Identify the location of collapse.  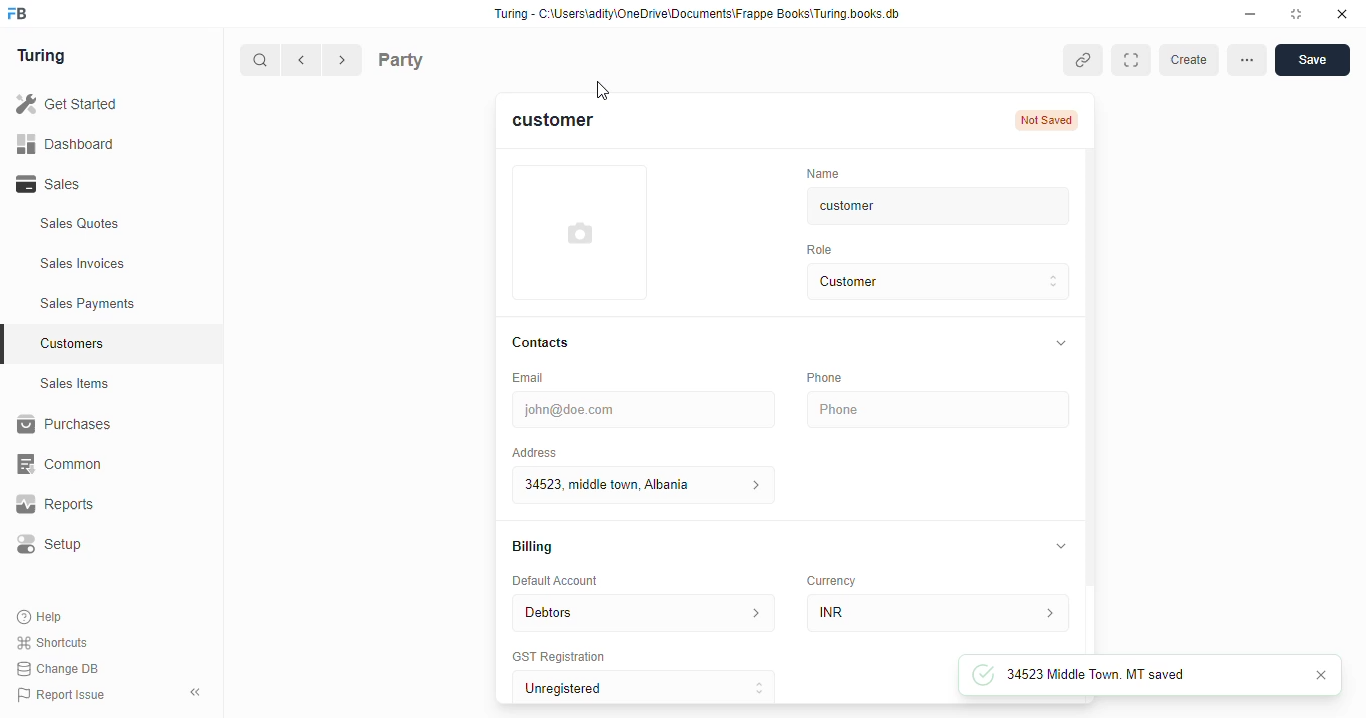
(1059, 344).